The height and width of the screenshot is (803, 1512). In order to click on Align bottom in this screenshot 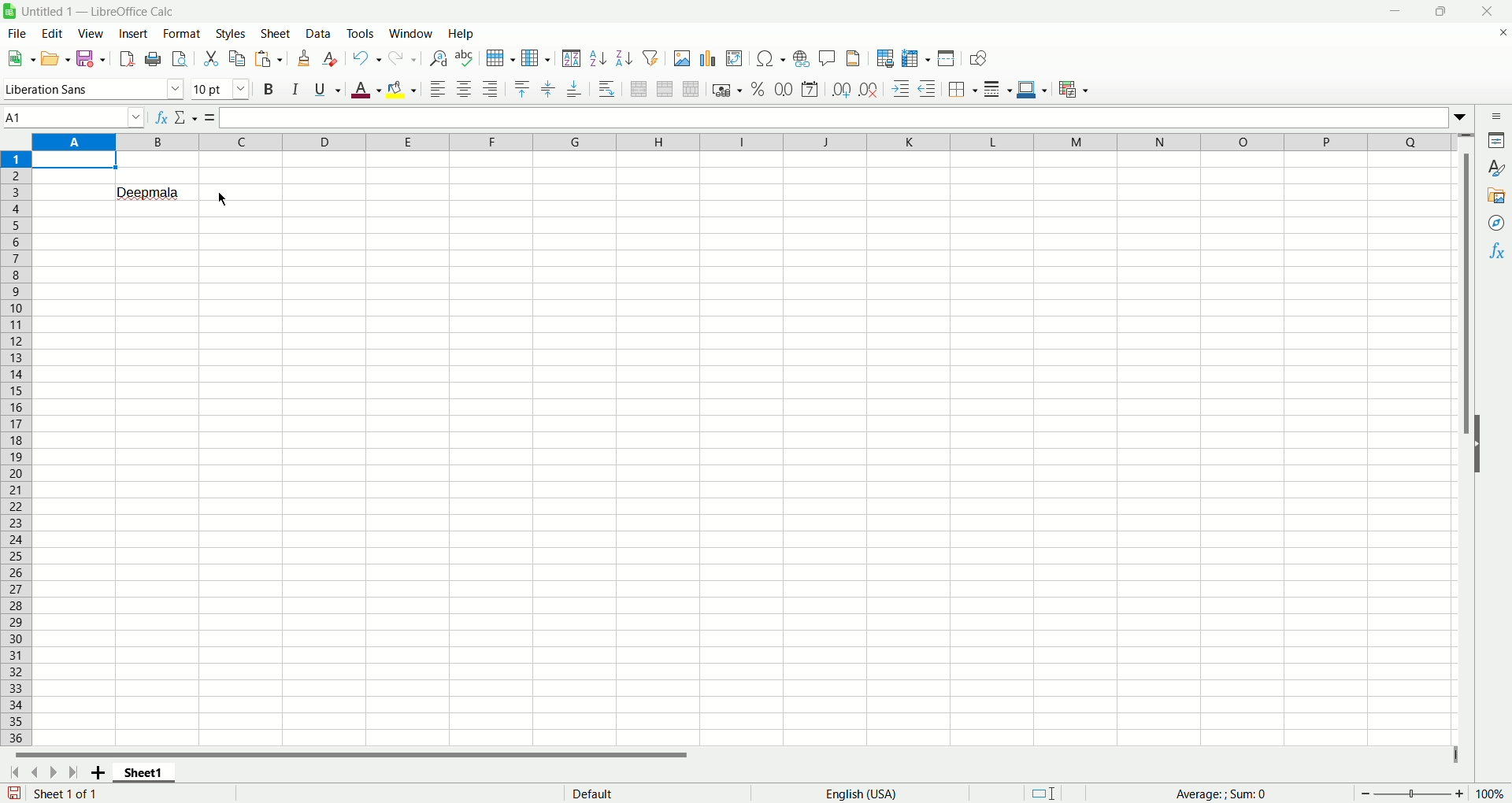, I will do `click(573, 91)`.